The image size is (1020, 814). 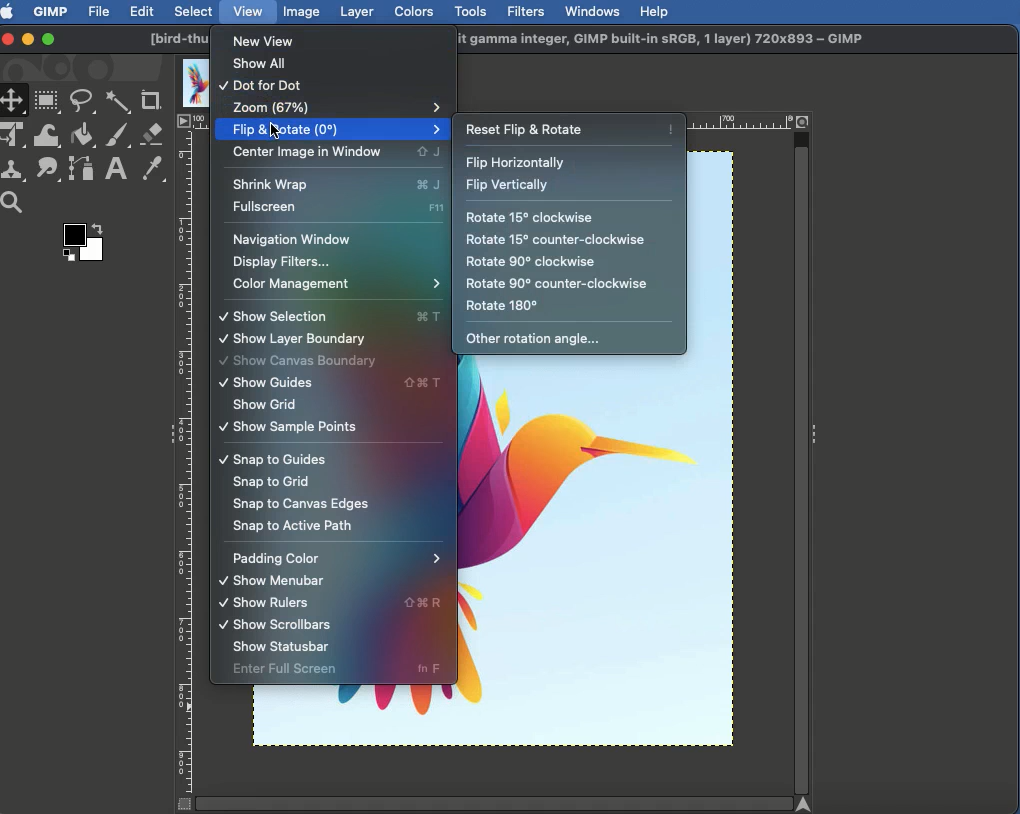 What do you see at coordinates (114, 170) in the screenshot?
I see `Text` at bounding box center [114, 170].